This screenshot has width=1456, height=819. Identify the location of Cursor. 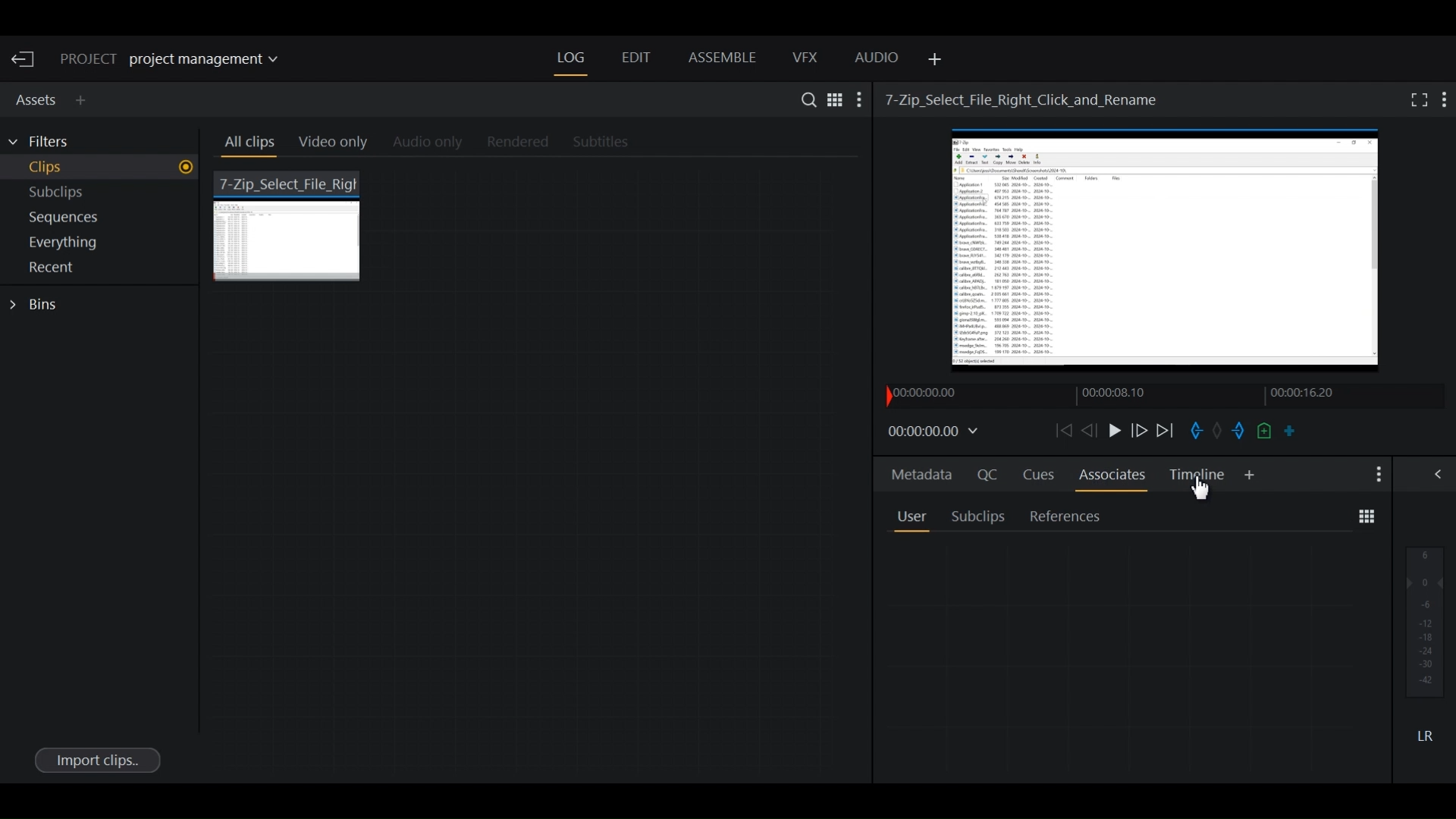
(1200, 491).